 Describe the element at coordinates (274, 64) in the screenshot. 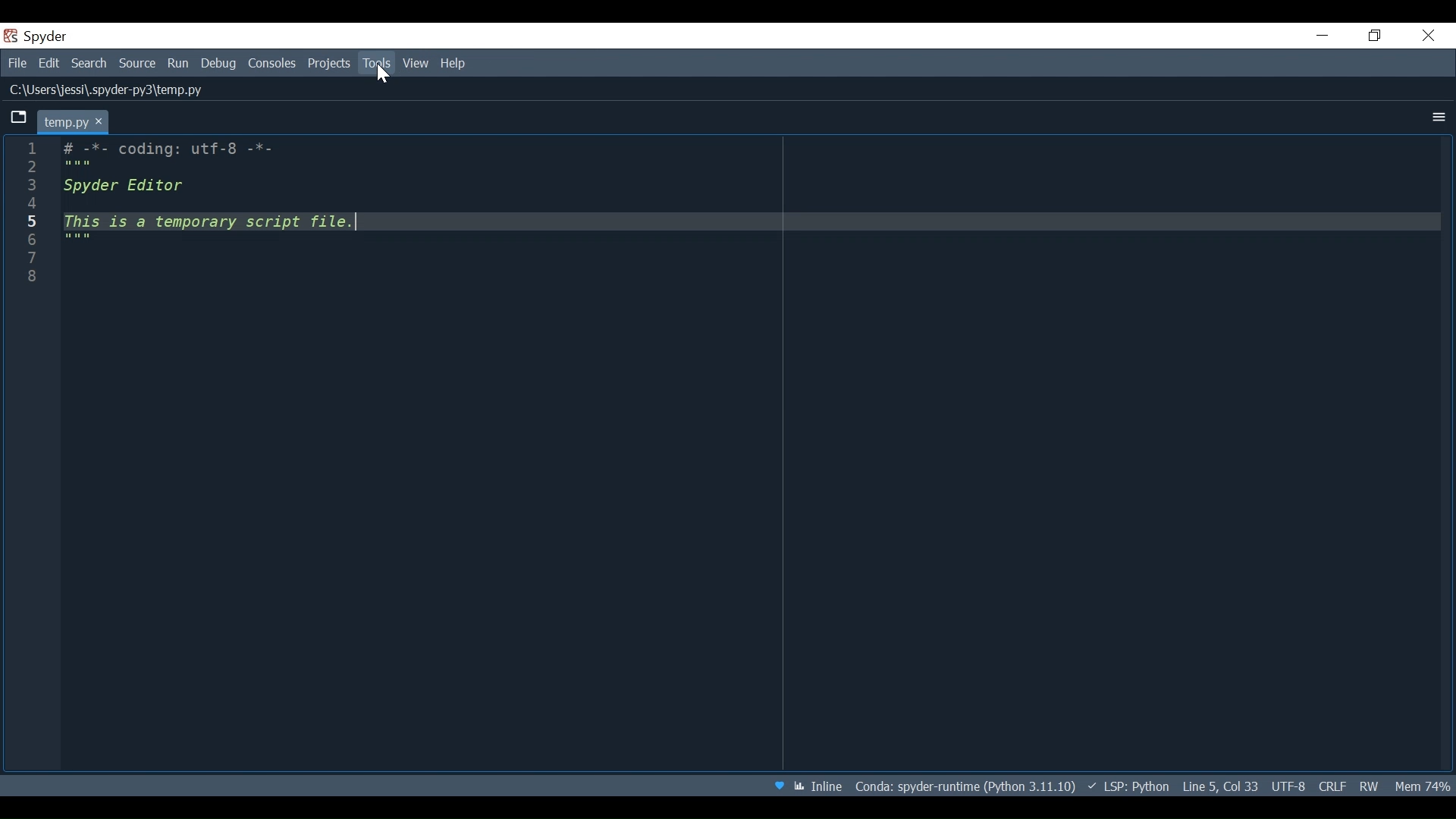

I see `Consoles` at that location.